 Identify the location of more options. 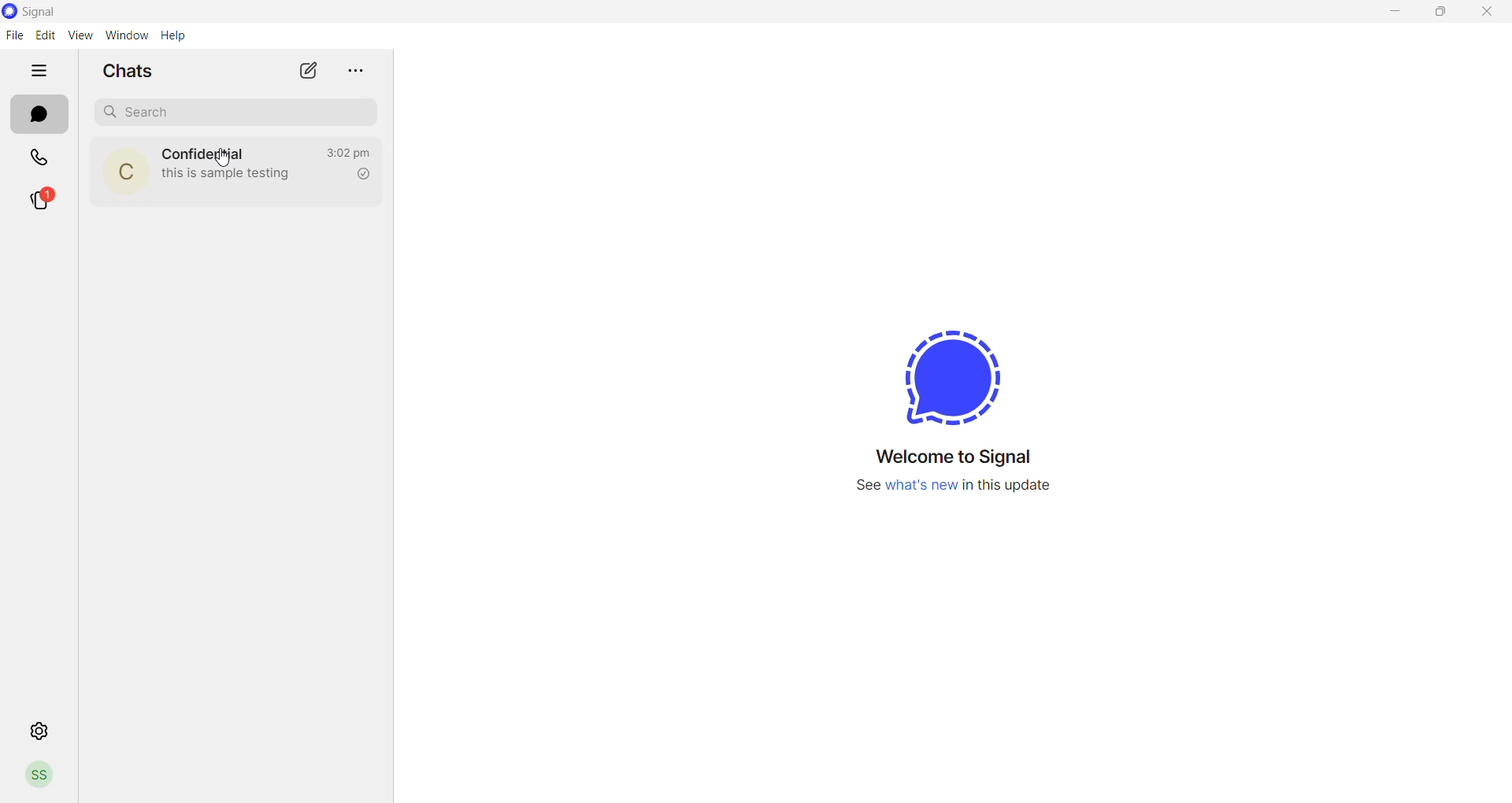
(355, 68).